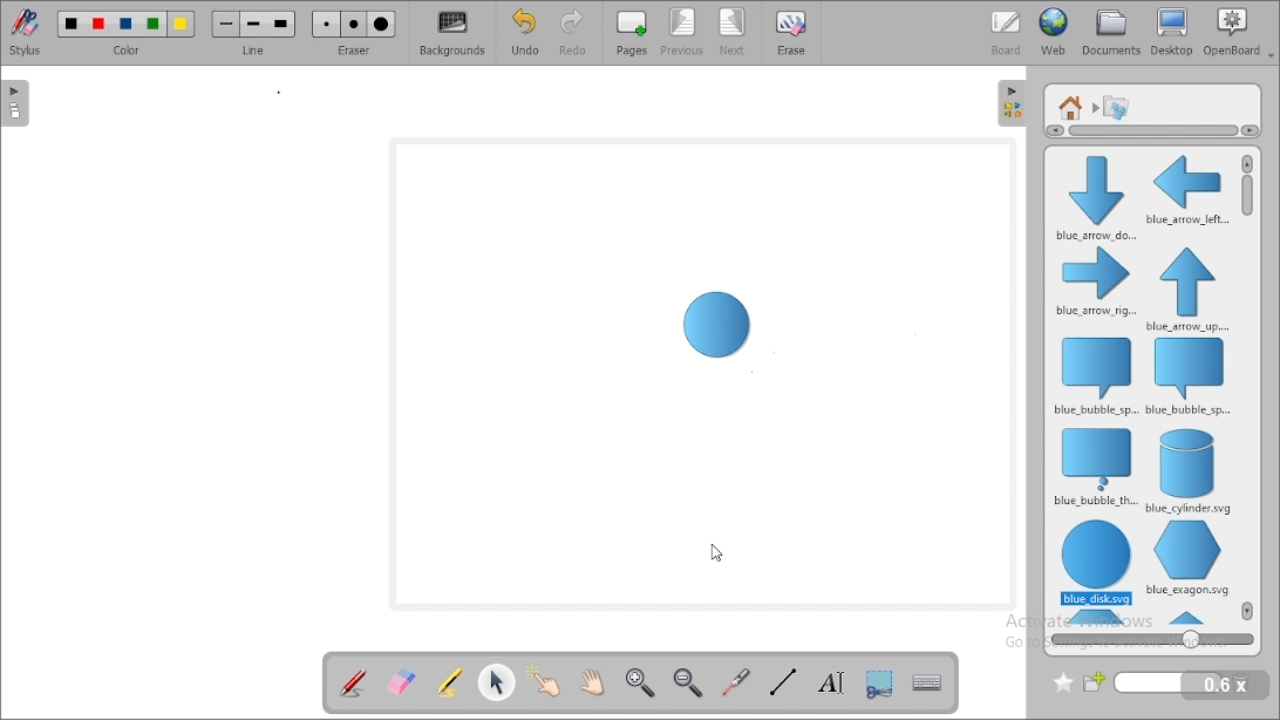 The height and width of the screenshot is (720, 1280). What do you see at coordinates (25, 32) in the screenshot?
I see `stylus` at bounding box center [25, 32].